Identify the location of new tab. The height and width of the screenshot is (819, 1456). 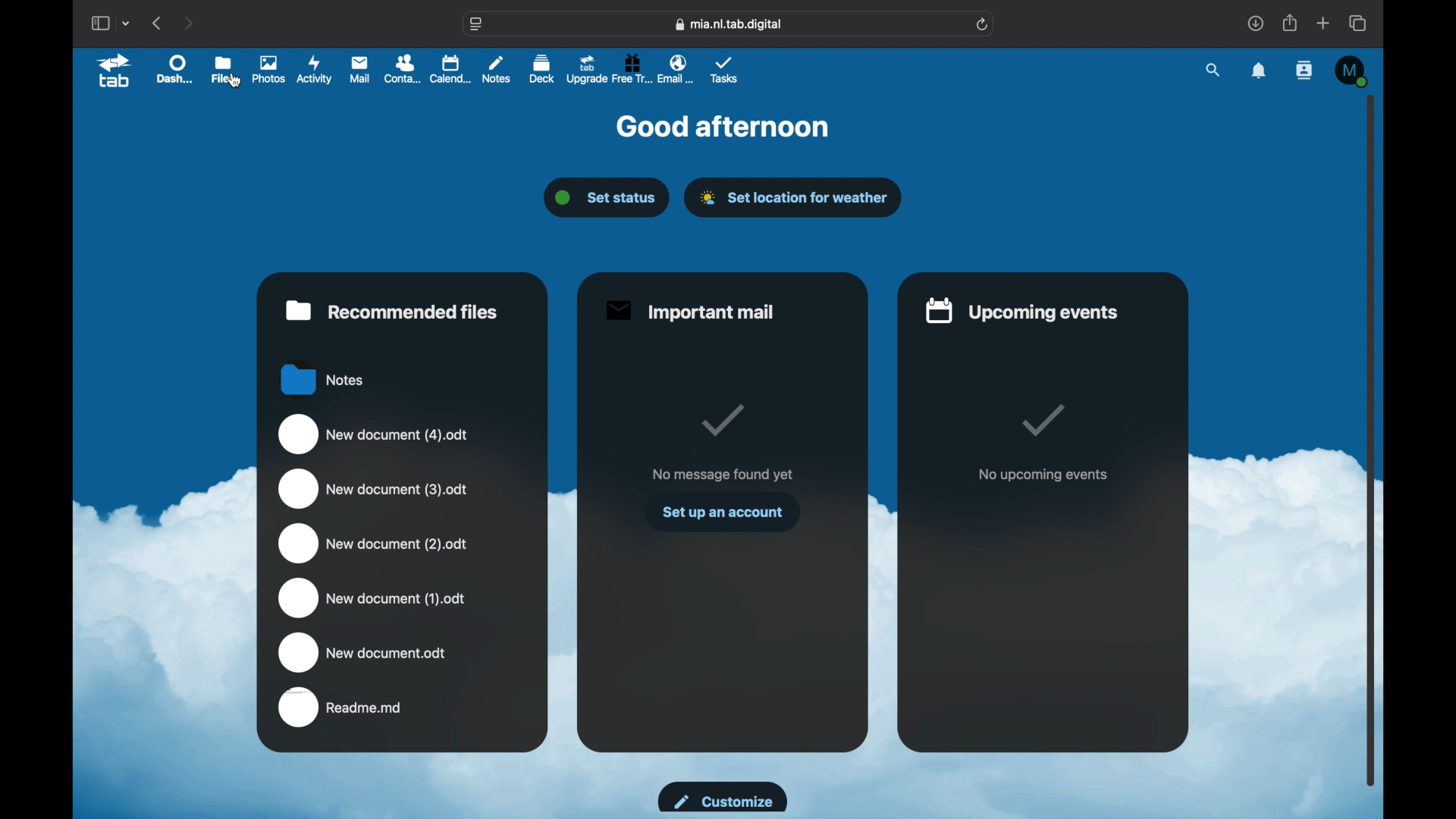
(1323, 23).